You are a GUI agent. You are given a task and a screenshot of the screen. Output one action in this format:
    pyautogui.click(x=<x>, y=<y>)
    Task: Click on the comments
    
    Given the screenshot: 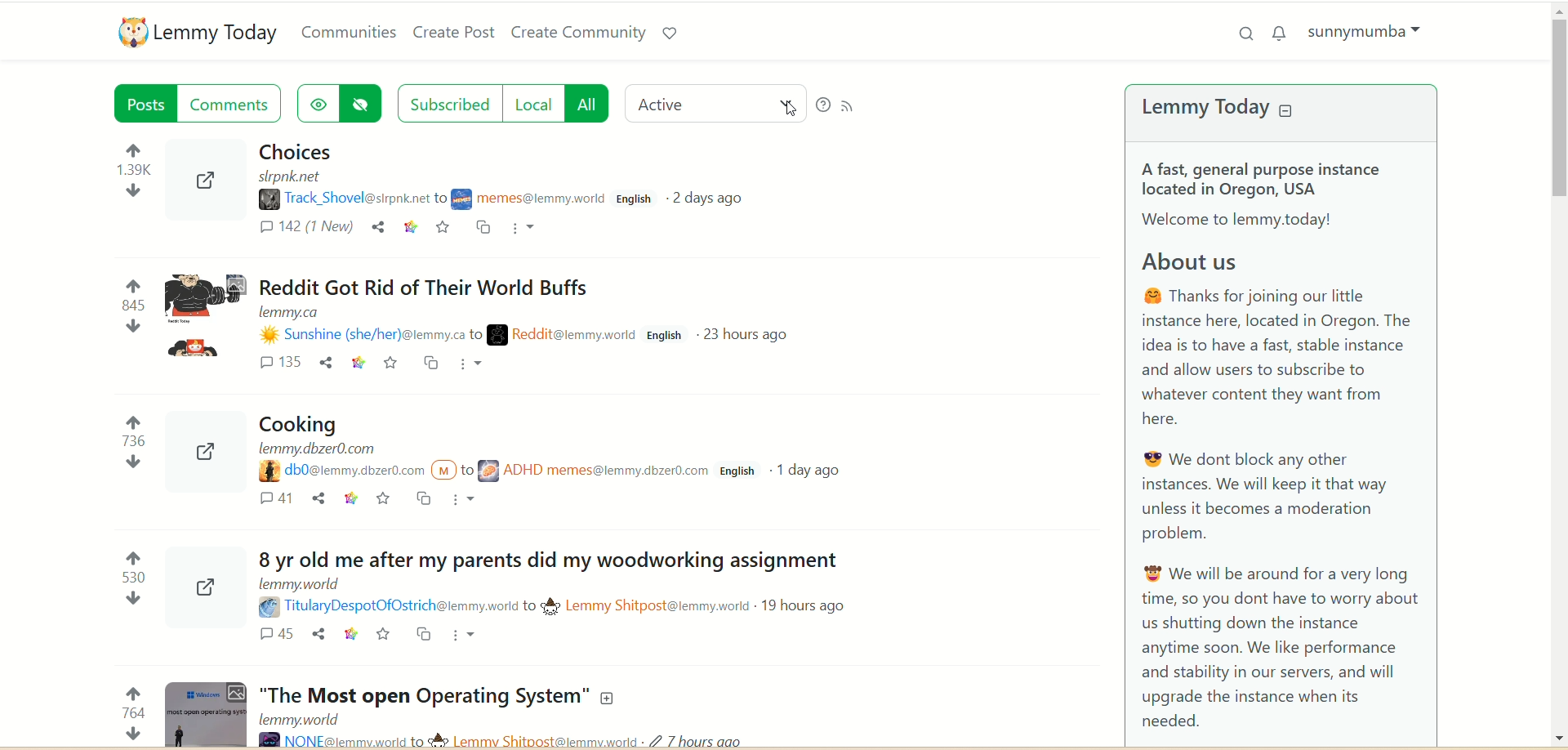 What is the action you would take?
    pyautogui.click(x=305, y=230)
    